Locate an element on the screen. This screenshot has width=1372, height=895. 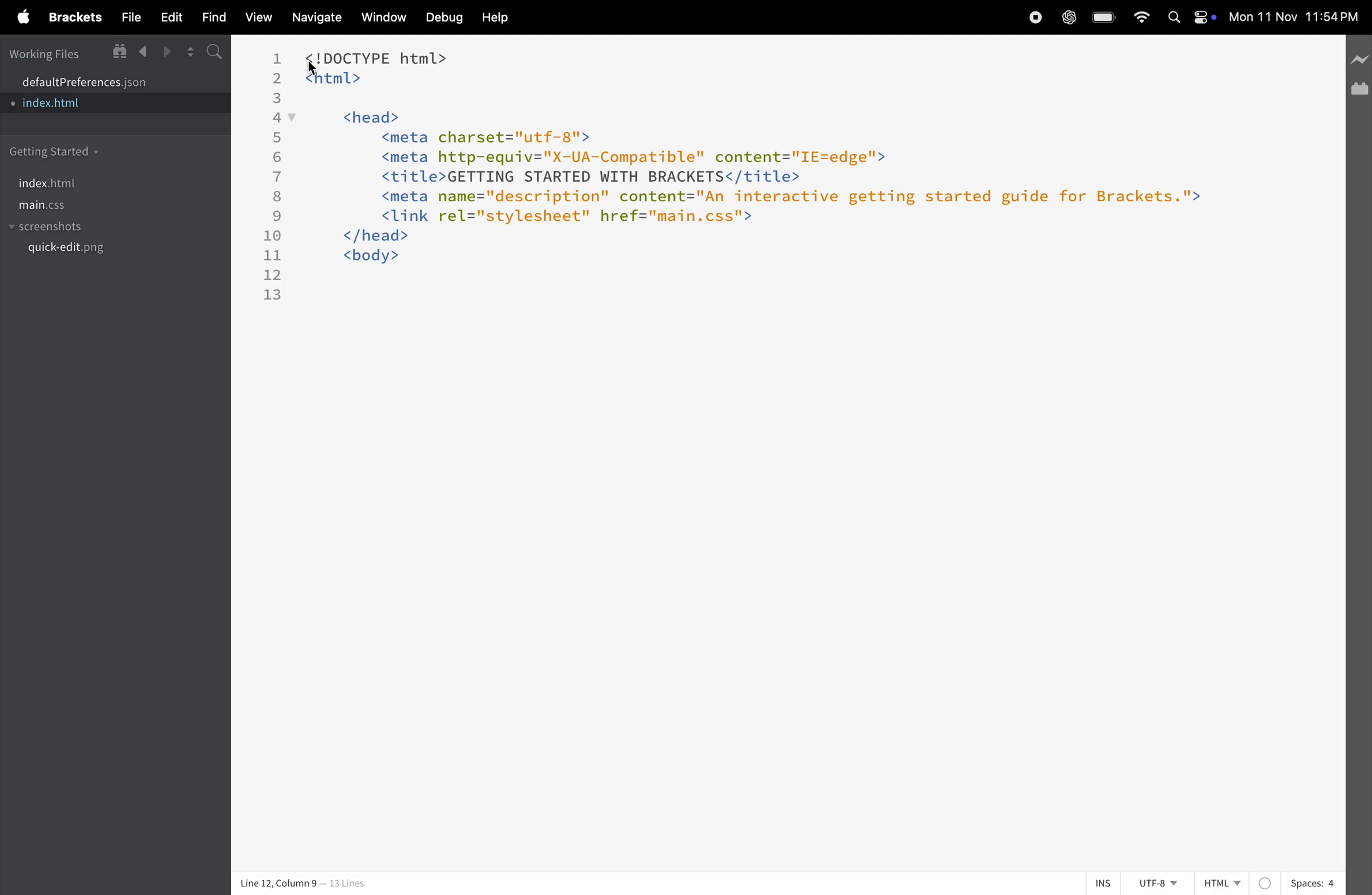
cursor is located at coordinates (311, 71).